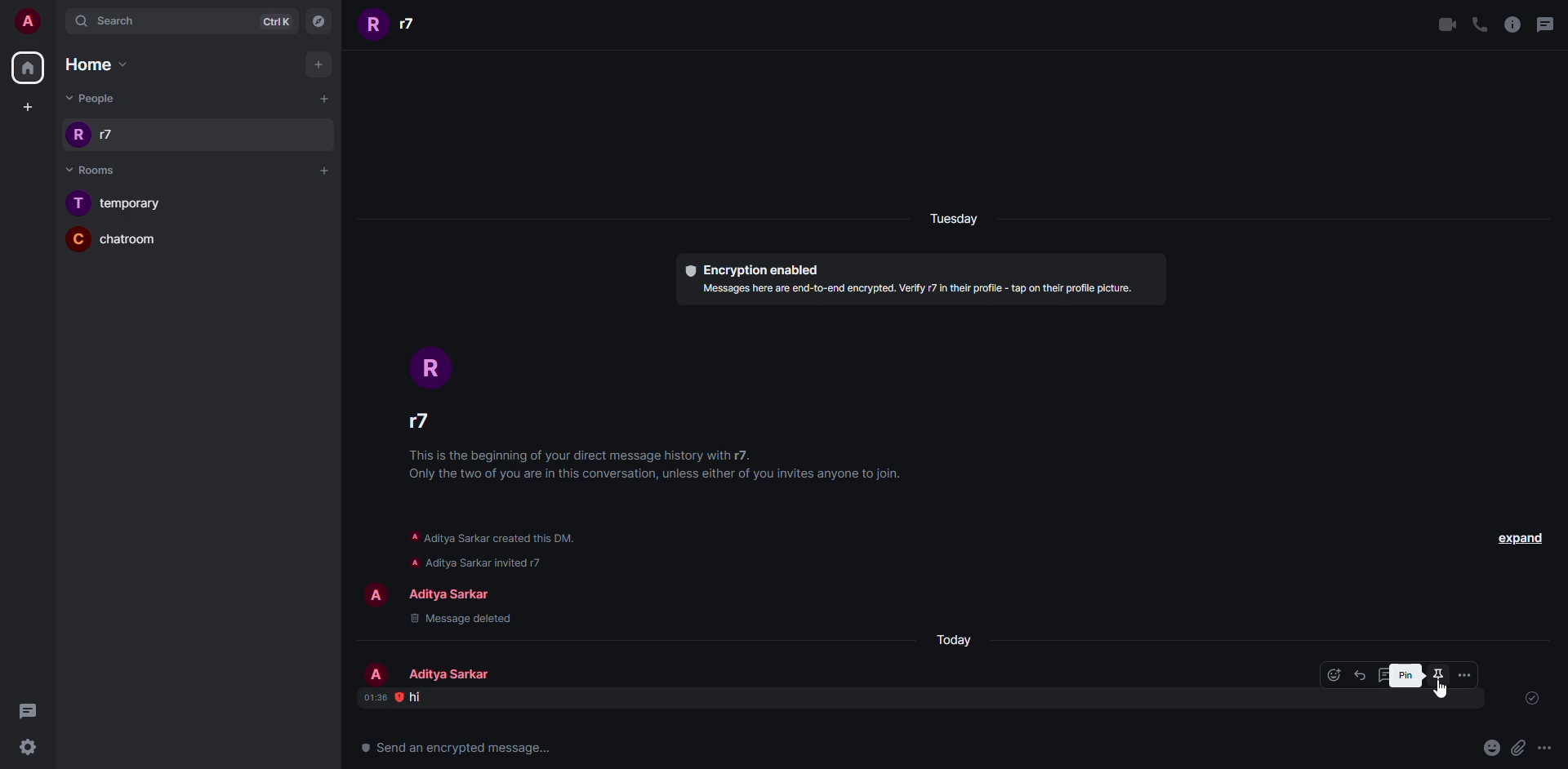  I want to click on people, so click(423, 424).